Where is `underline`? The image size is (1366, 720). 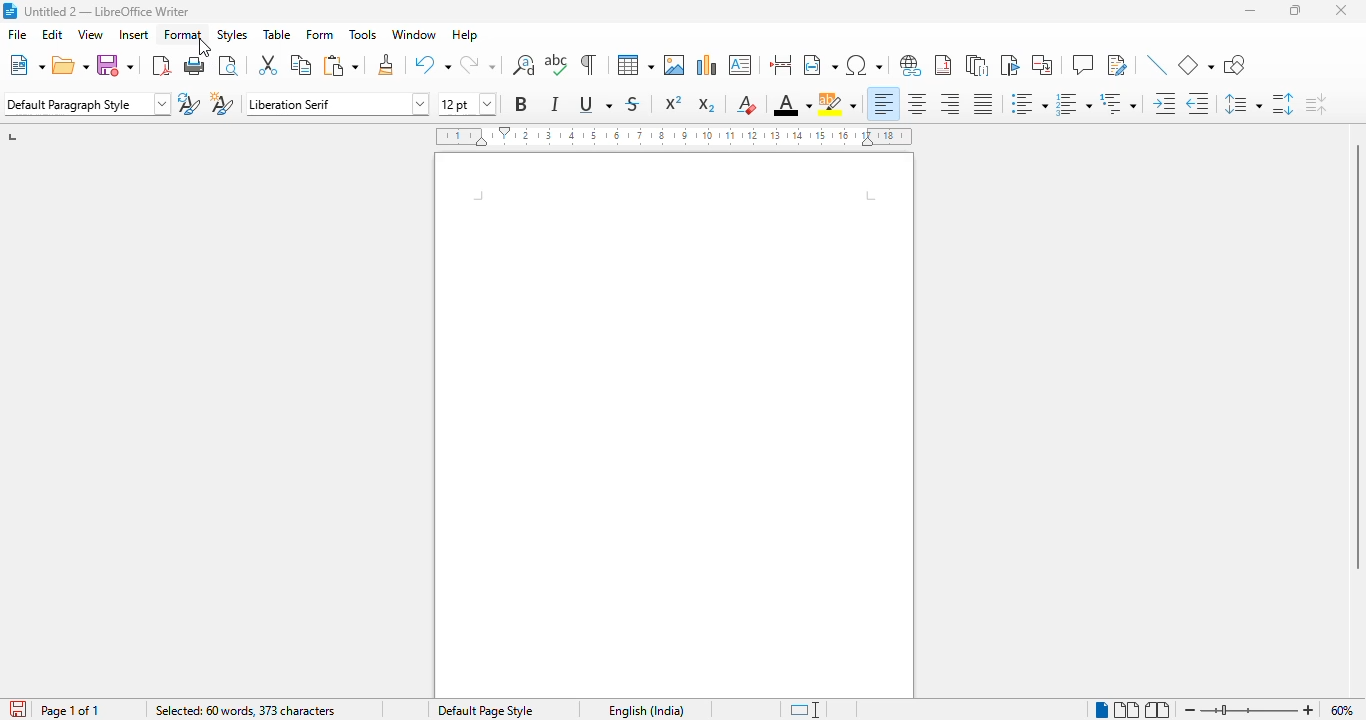 underline is located at coordinates (595, 104).